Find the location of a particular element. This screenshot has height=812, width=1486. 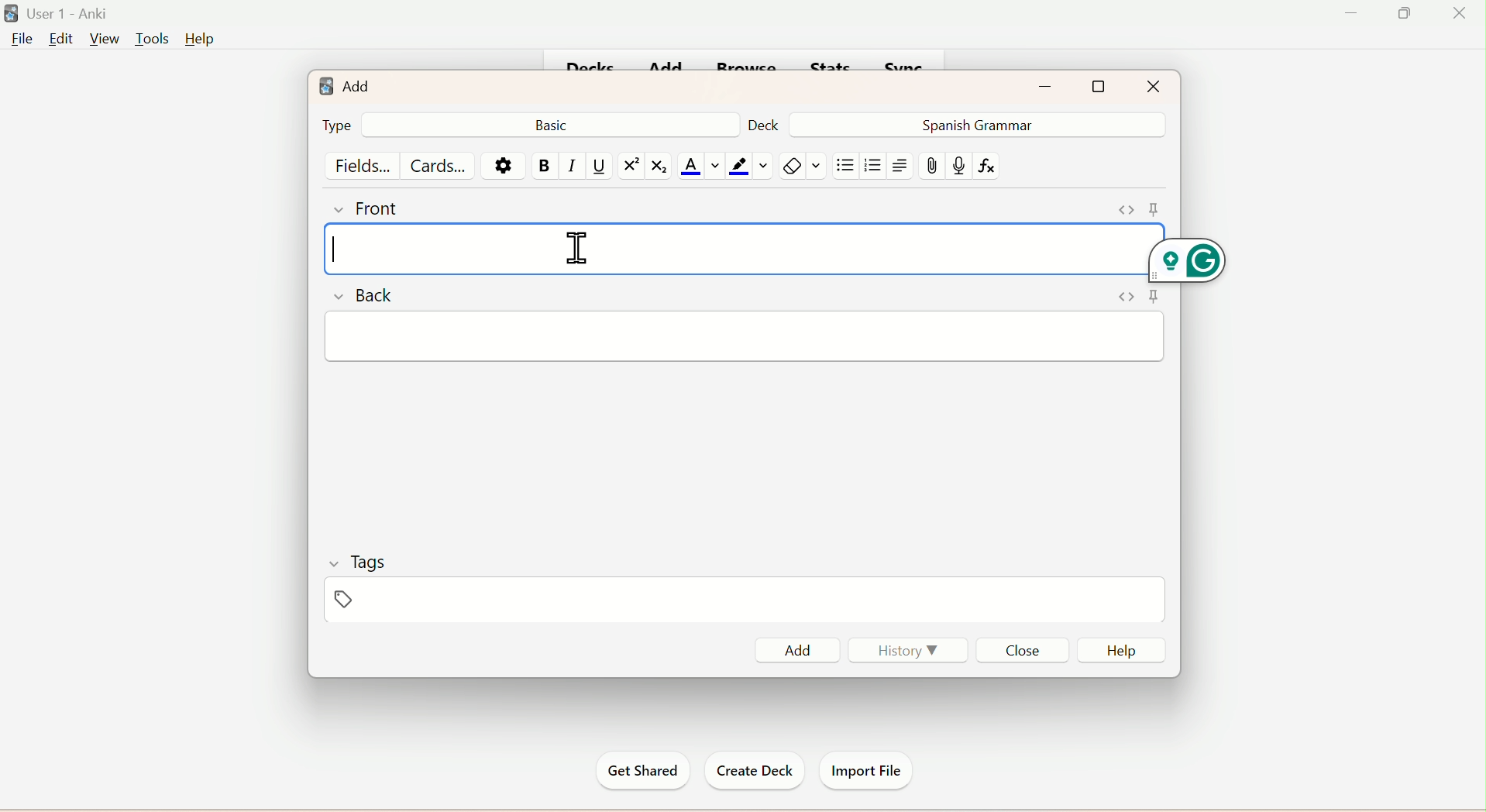

Minimize is located at coordinates (1051, 84).